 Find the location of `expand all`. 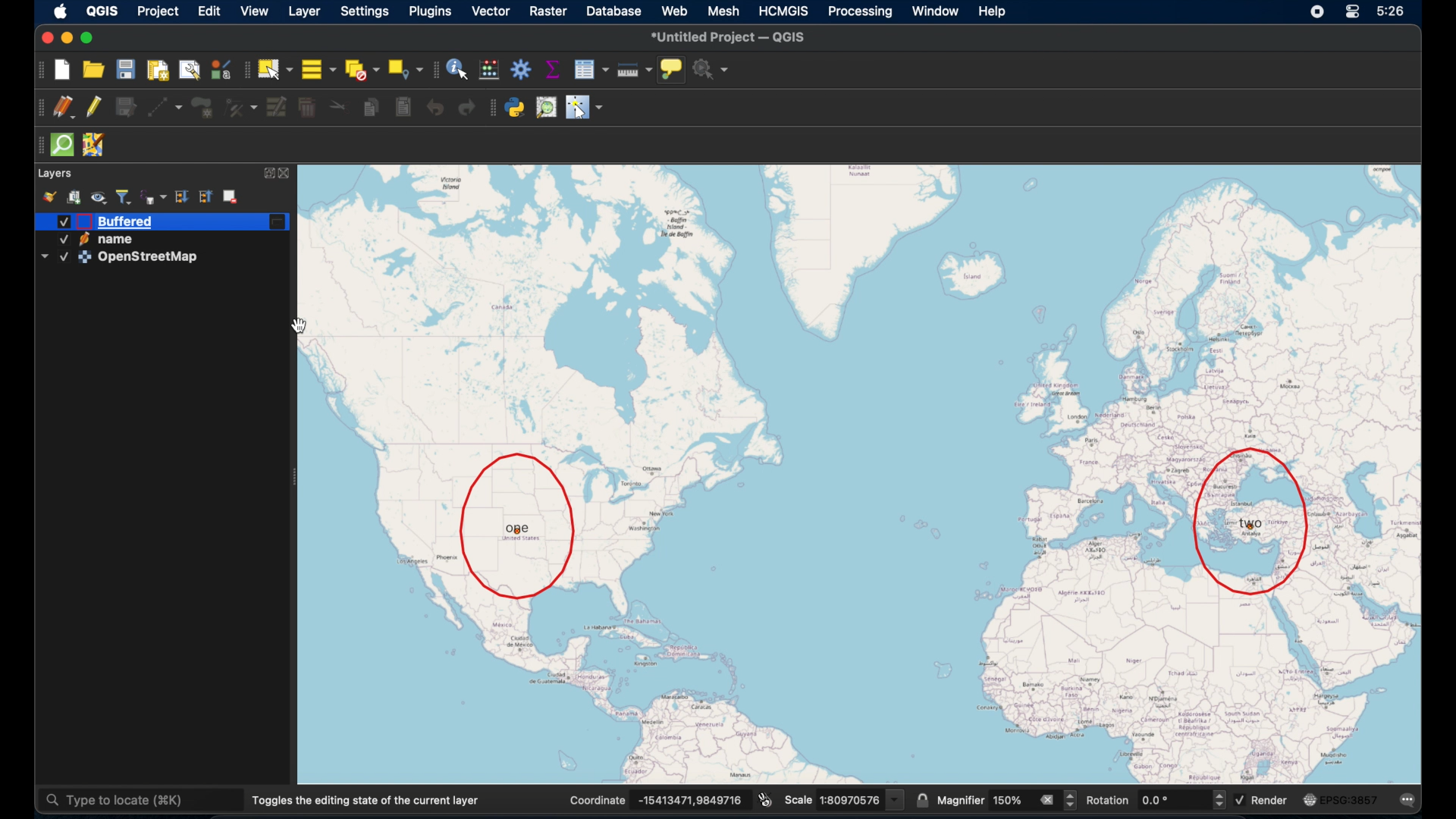

expand all is located at coordinates (180, 197).